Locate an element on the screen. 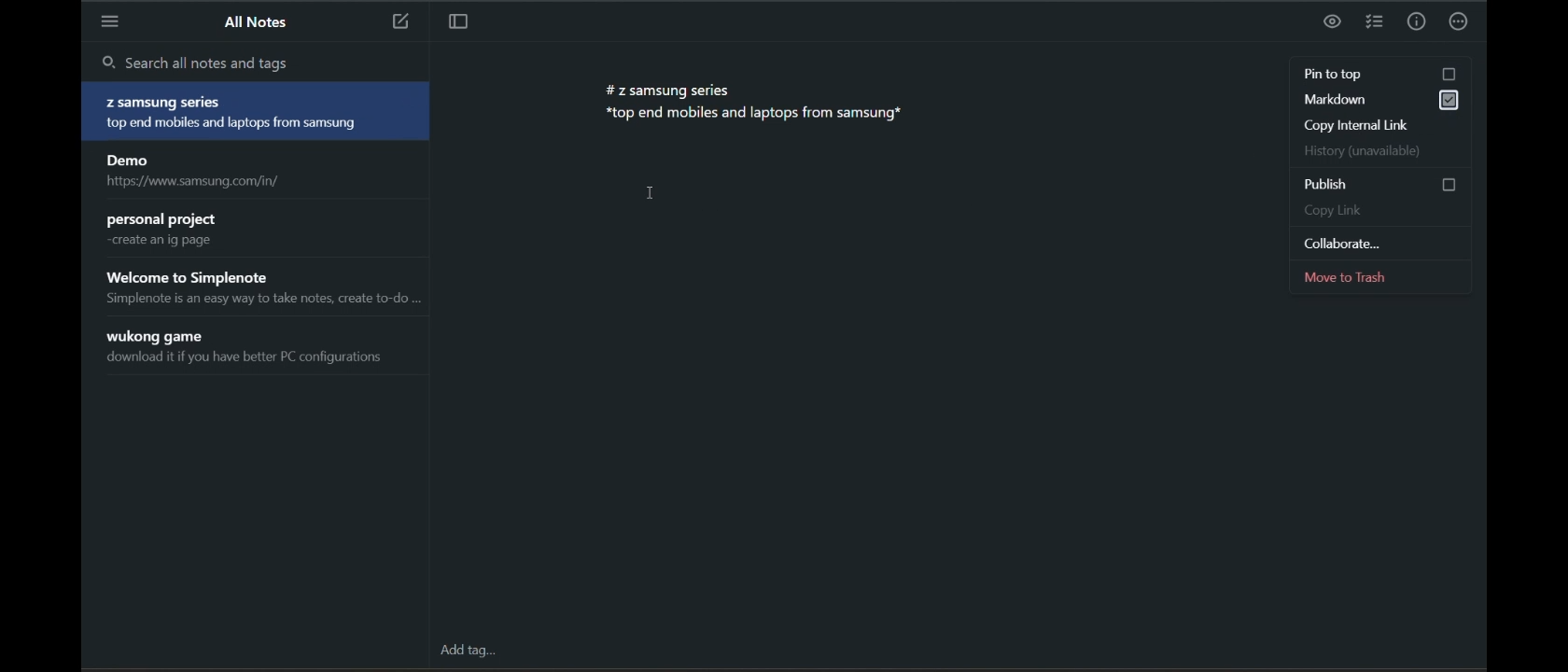  collaborate... is located at coordinates (1380, 241).